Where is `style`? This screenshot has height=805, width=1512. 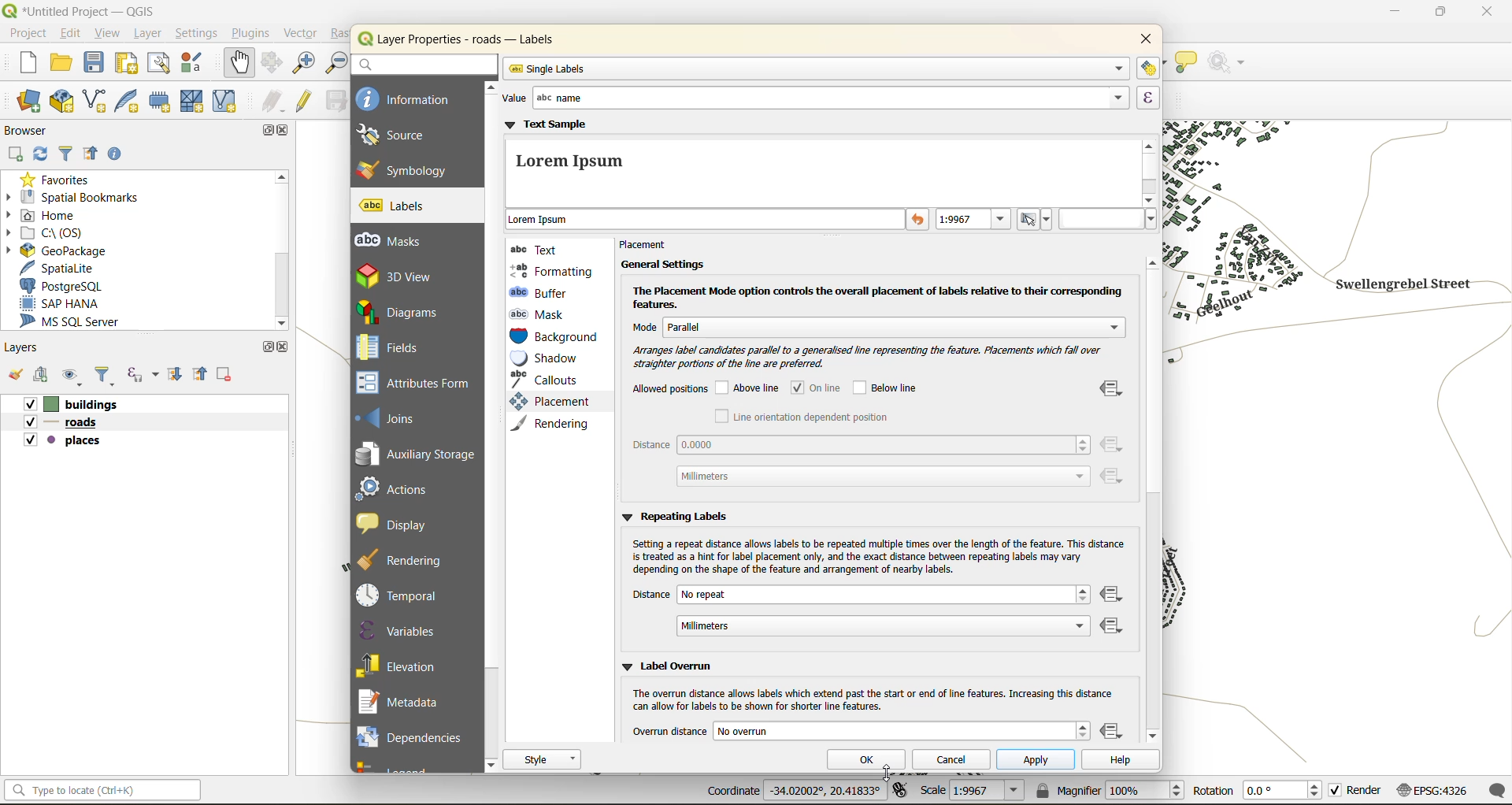 style is located at coordinates (543, 759).